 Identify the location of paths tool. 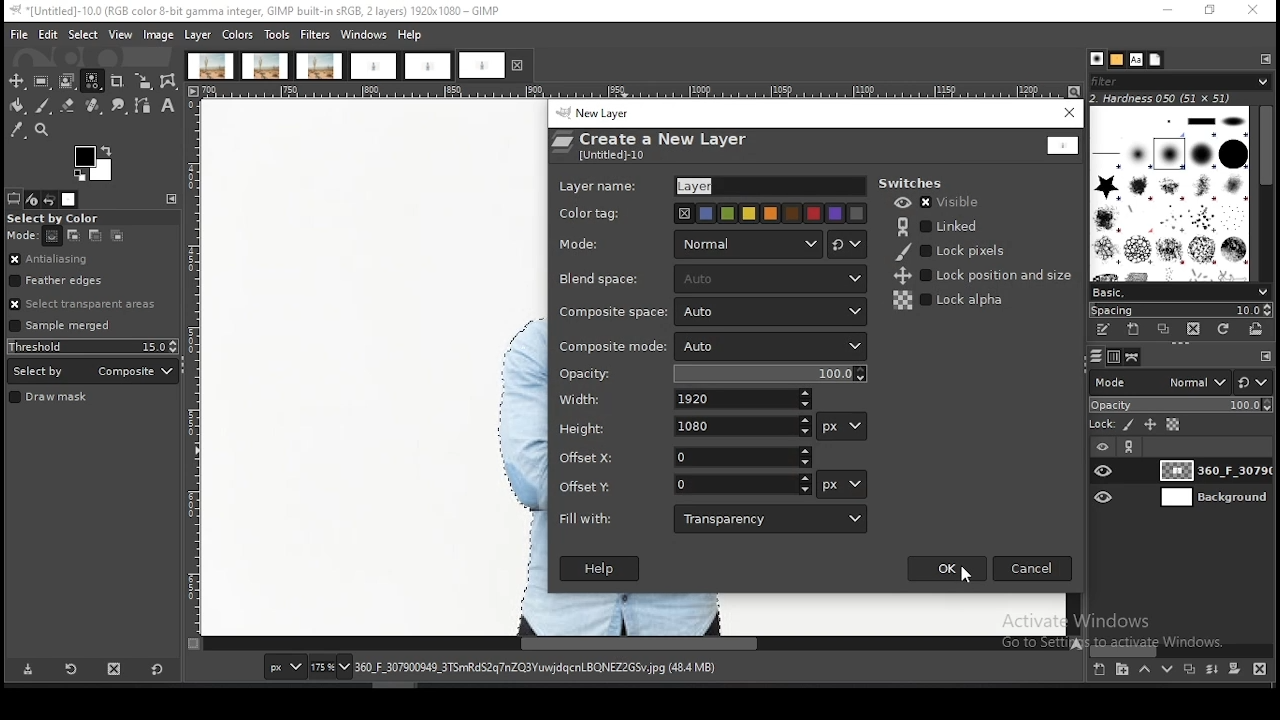
(145, 107).